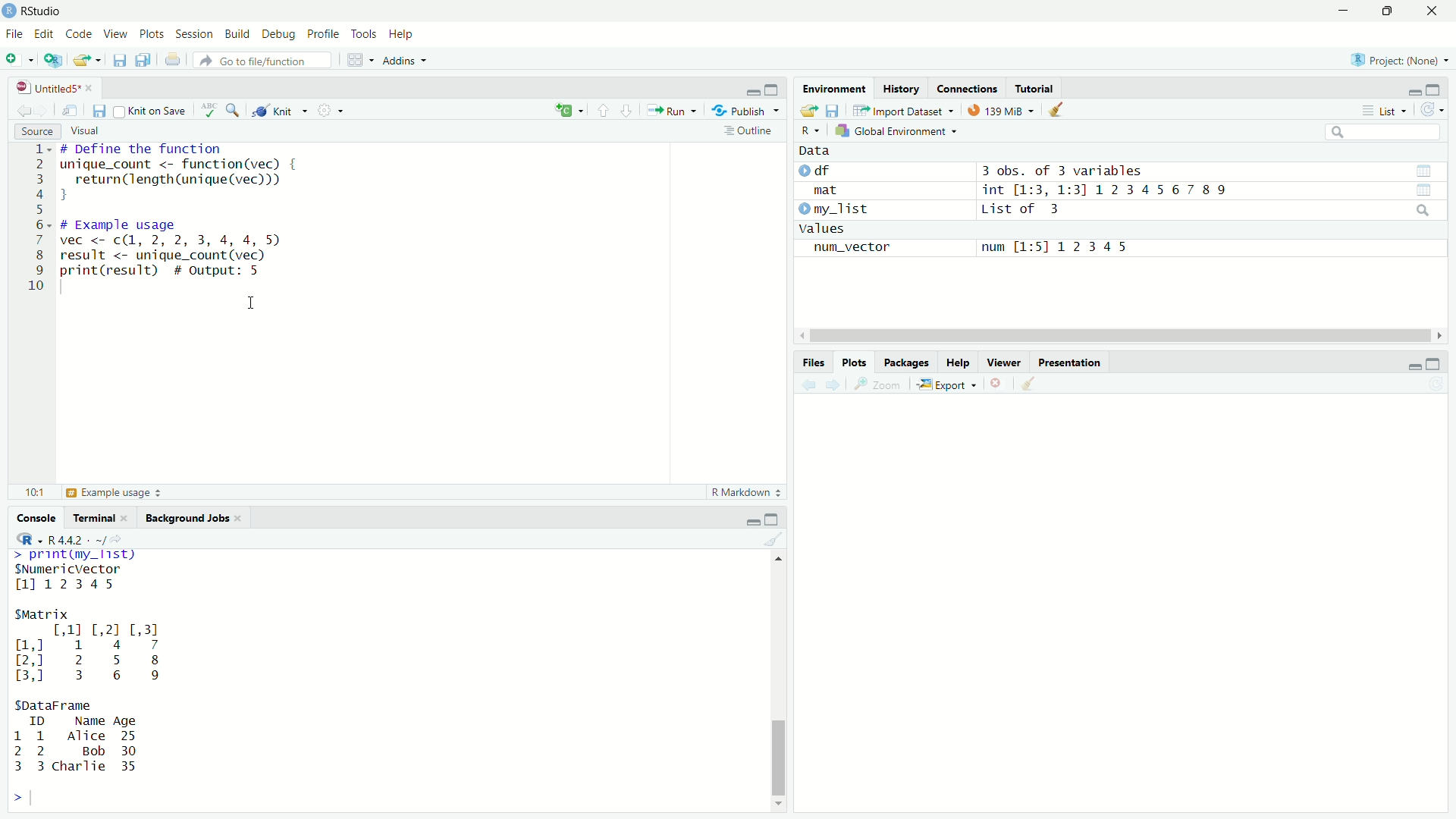 The height and width of the screenshot is (819, 1456). What do you see at coordinates (115, 35) in the screenshot?
I see `View` at bounding box center [115, 35].